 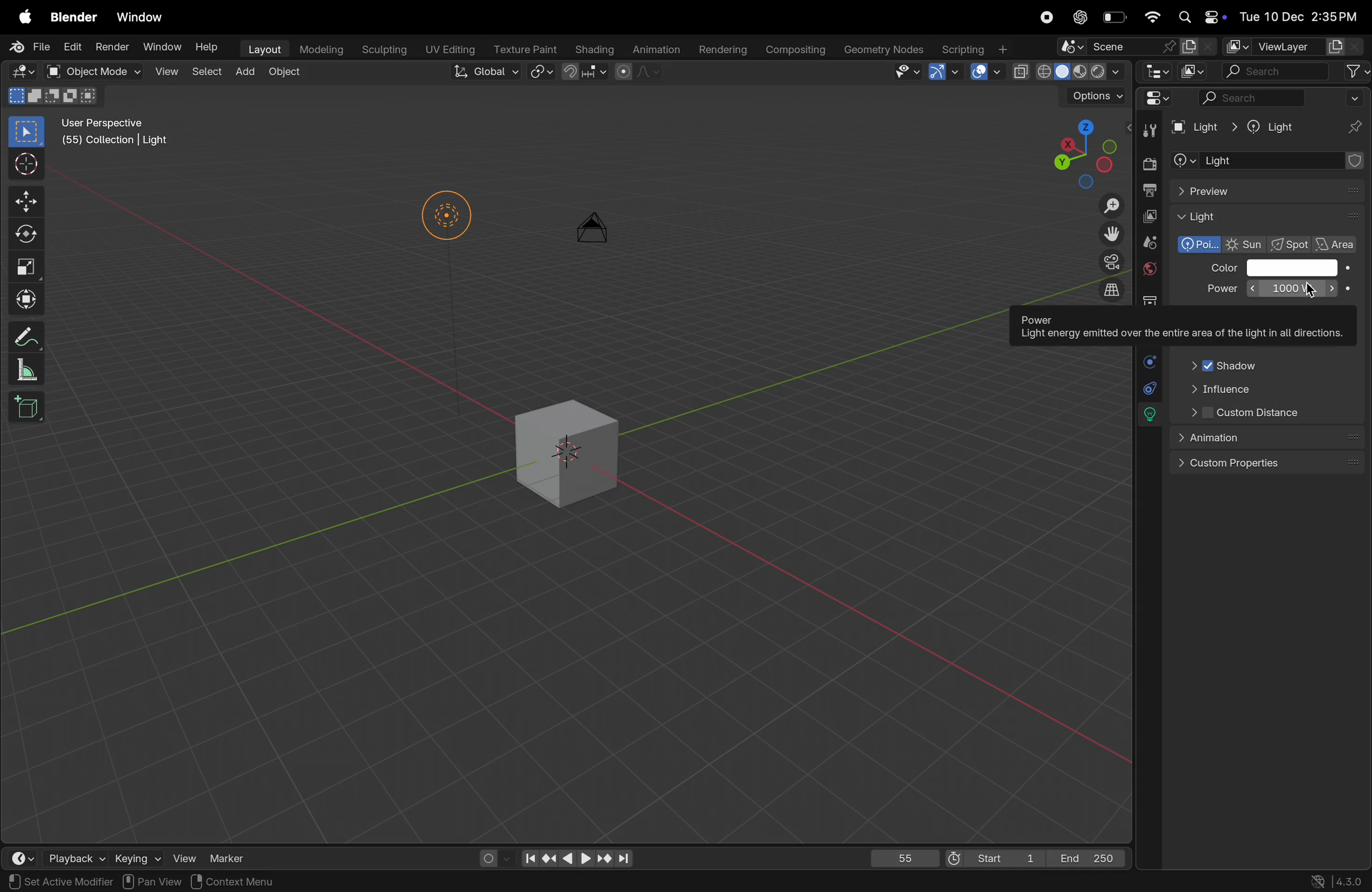 What do you see at coordinates (1250, 96) in the screenshot?
I see `search` at bounding box center [1250, 96].